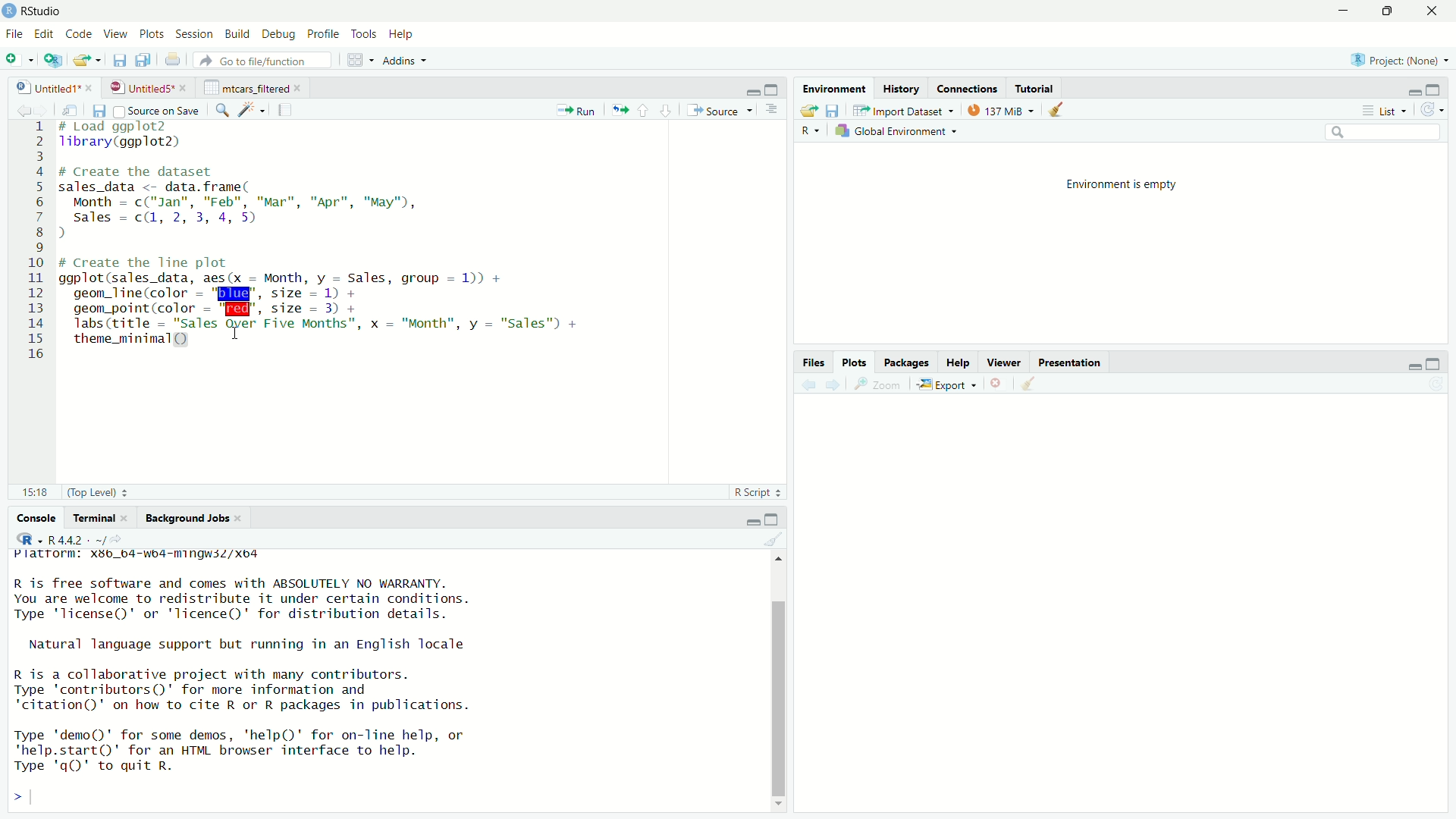 Image resolution: width=1456 pixels, height=819 pixels. I want to click on code, so click(81, 34).